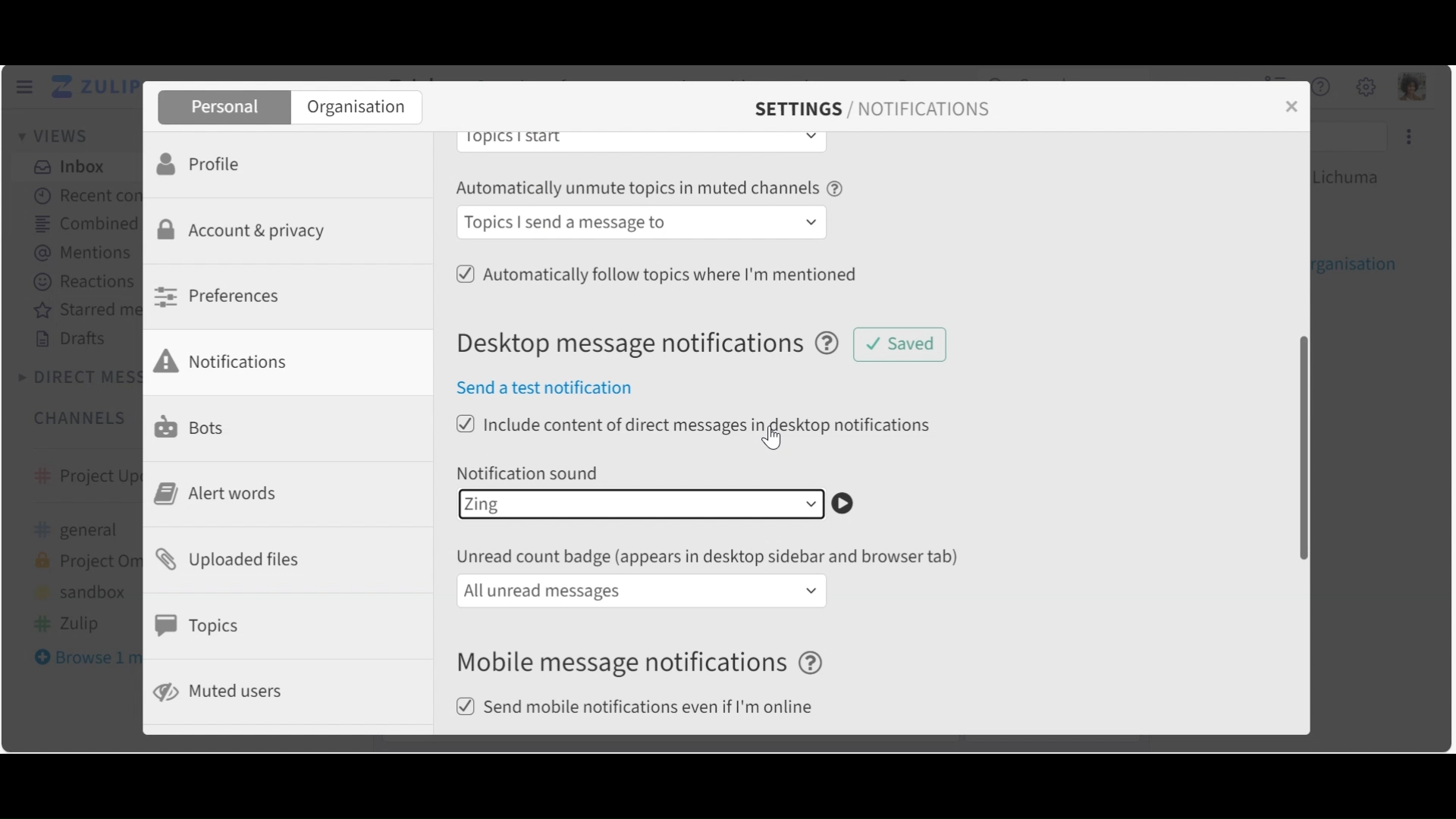 The width and height of the screenshot is (1456, 819). I want to click on unread count badge dropdown menu, so click(642, 591).